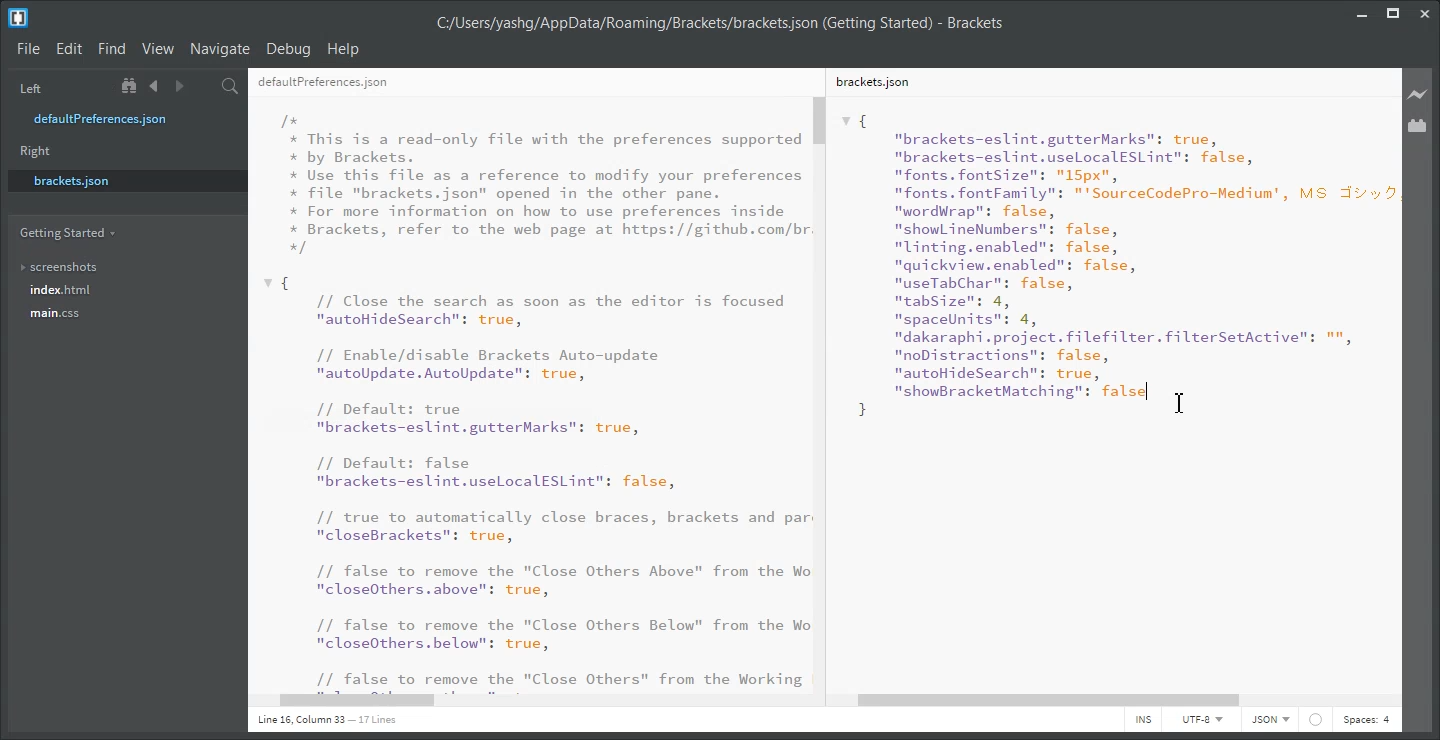 This screenshot has height=740, width=1440. Describe the element at coordinates (1201, 719) in the screenshot. I see `UTF-8` at that location.